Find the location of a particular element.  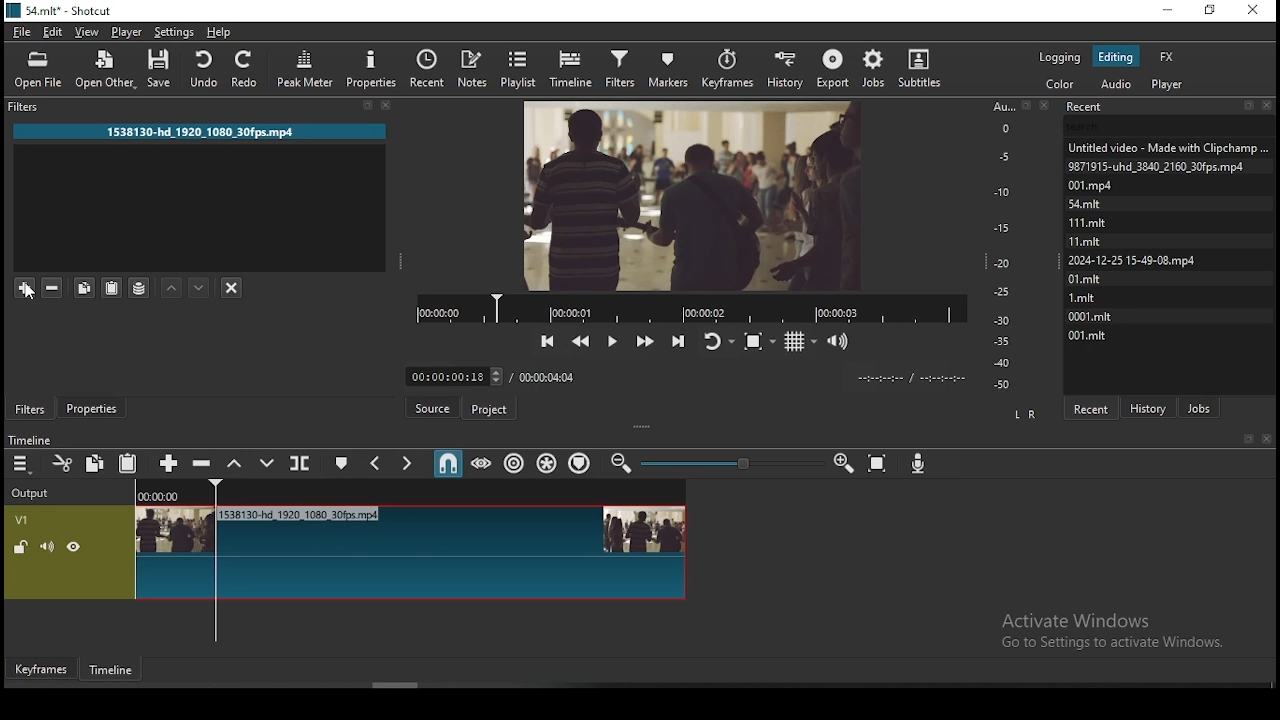

timeline is located at coordinates (115, 672).